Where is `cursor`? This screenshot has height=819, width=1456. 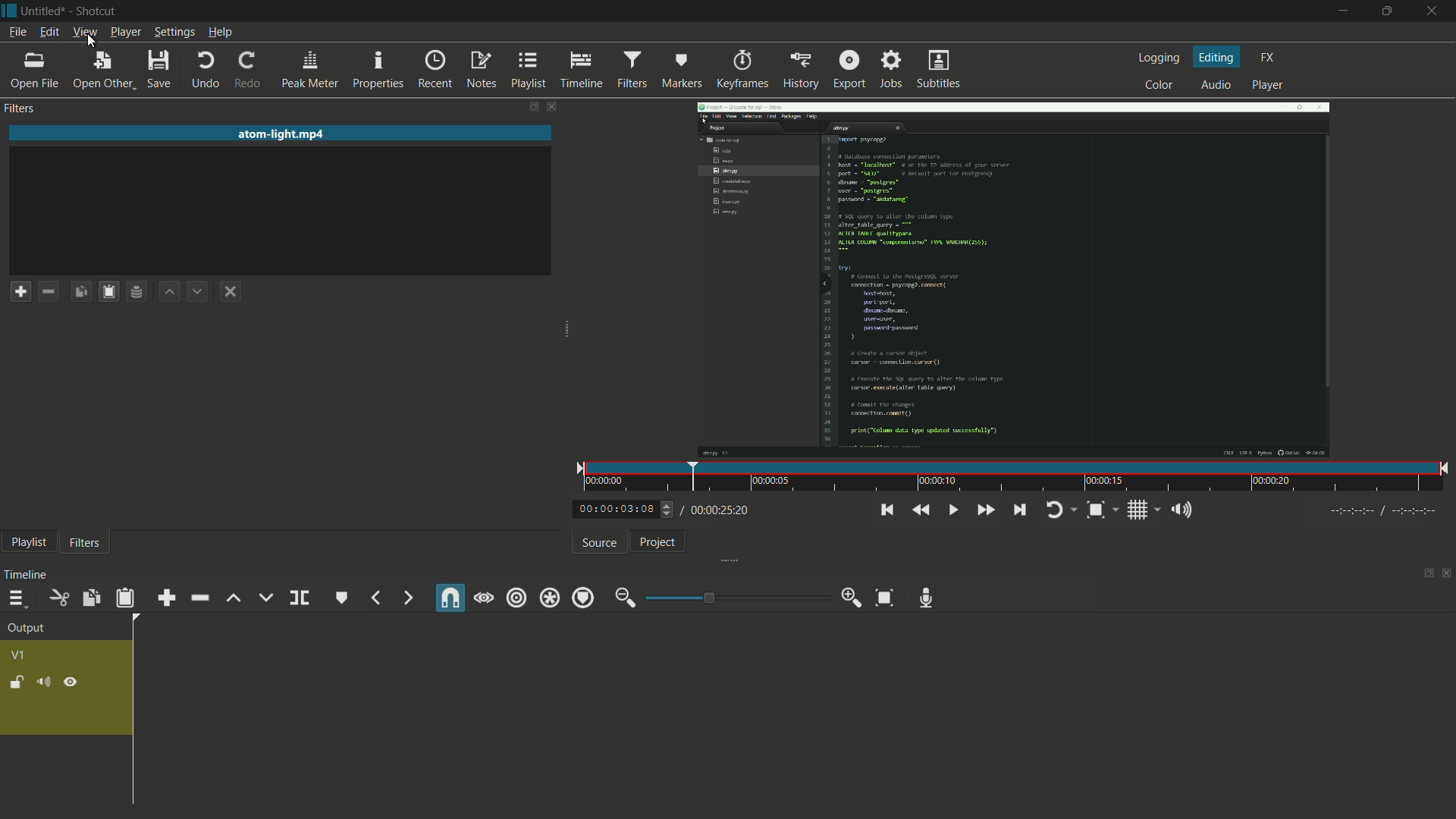 cursor is located at coordinates (93, 42).